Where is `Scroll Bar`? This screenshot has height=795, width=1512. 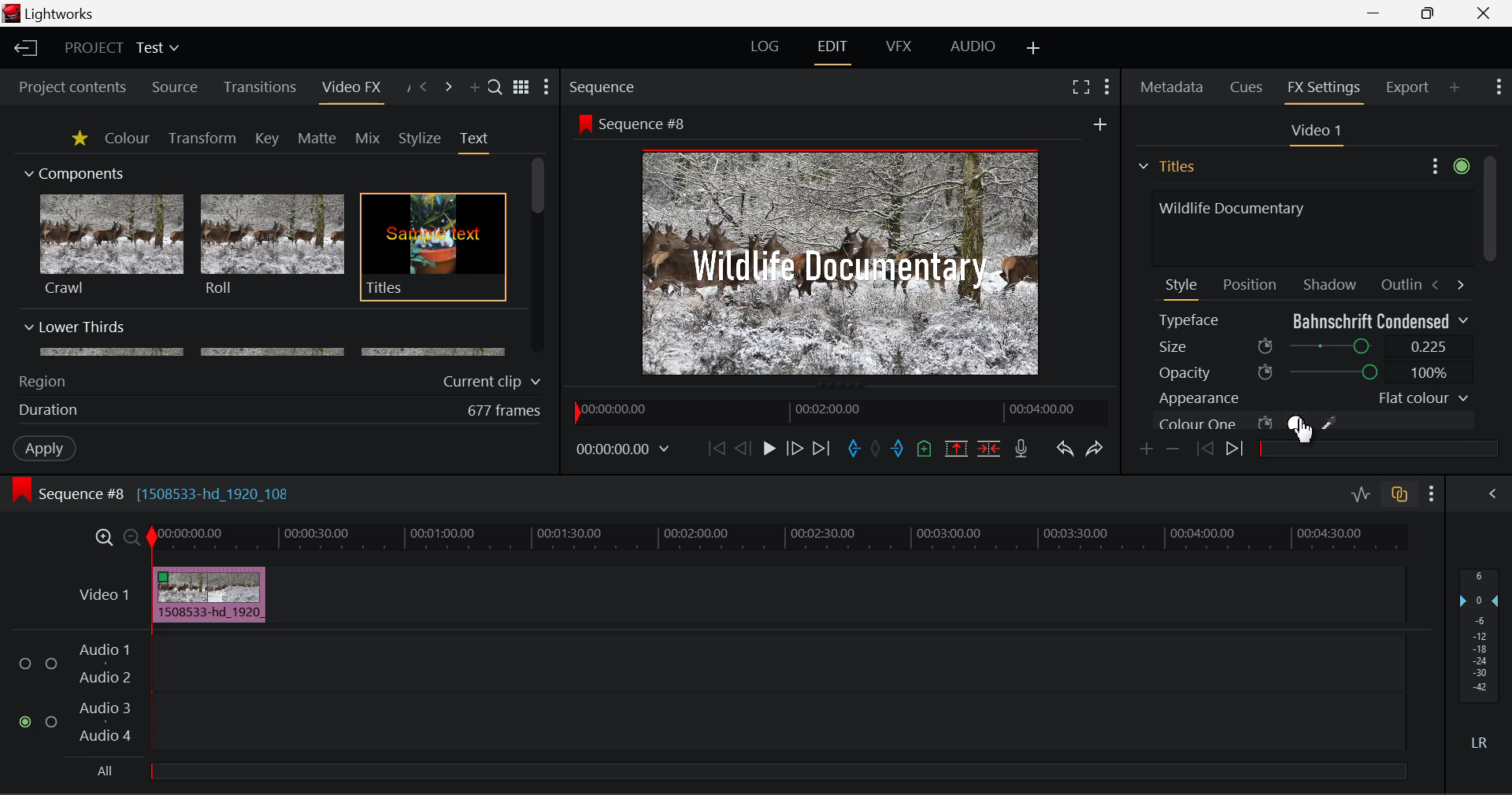 Scroll Bar is located at coordinates (1489, 294).